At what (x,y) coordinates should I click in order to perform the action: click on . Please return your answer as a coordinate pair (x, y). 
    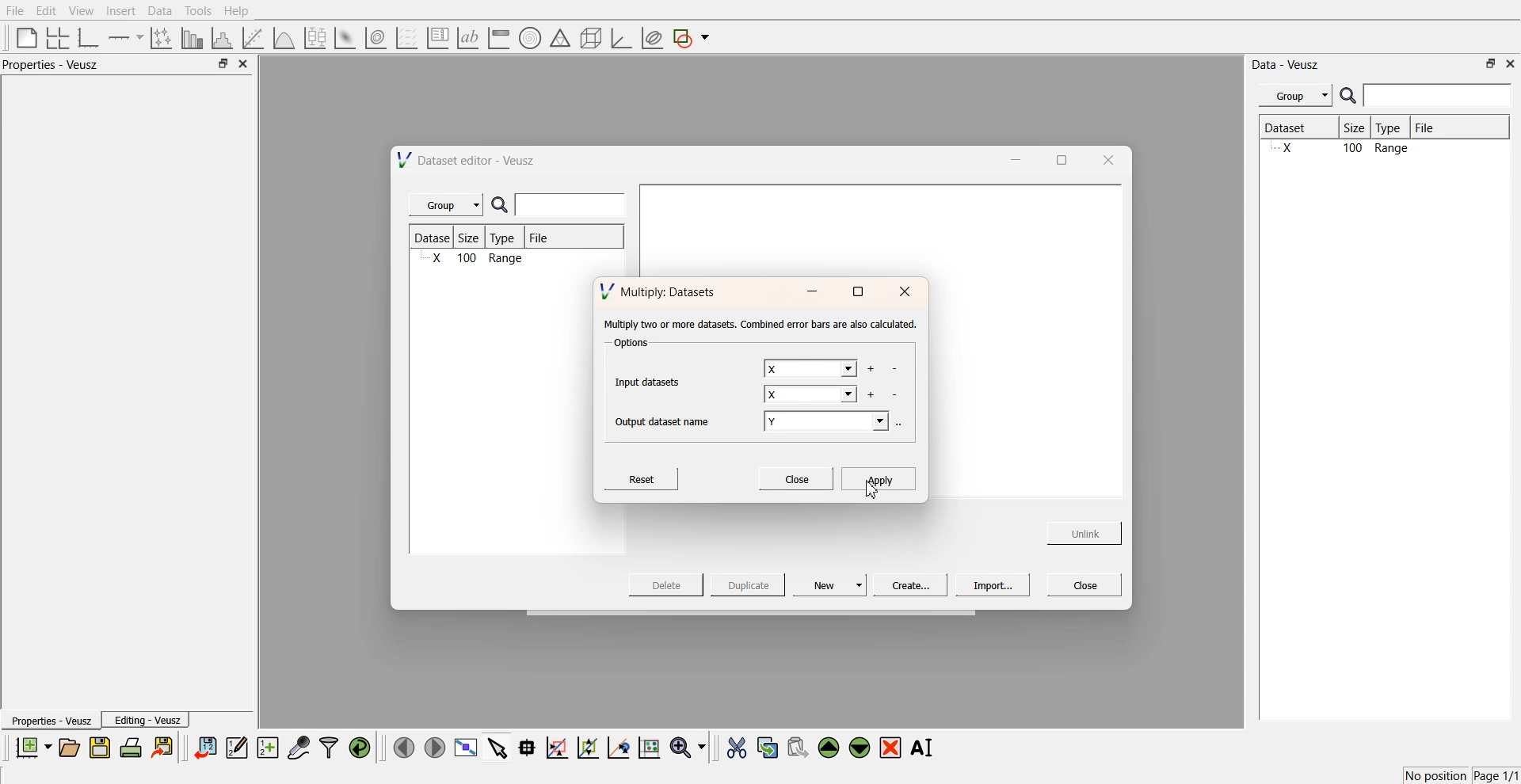
    Looking at the image, I should click on (1295, 96).